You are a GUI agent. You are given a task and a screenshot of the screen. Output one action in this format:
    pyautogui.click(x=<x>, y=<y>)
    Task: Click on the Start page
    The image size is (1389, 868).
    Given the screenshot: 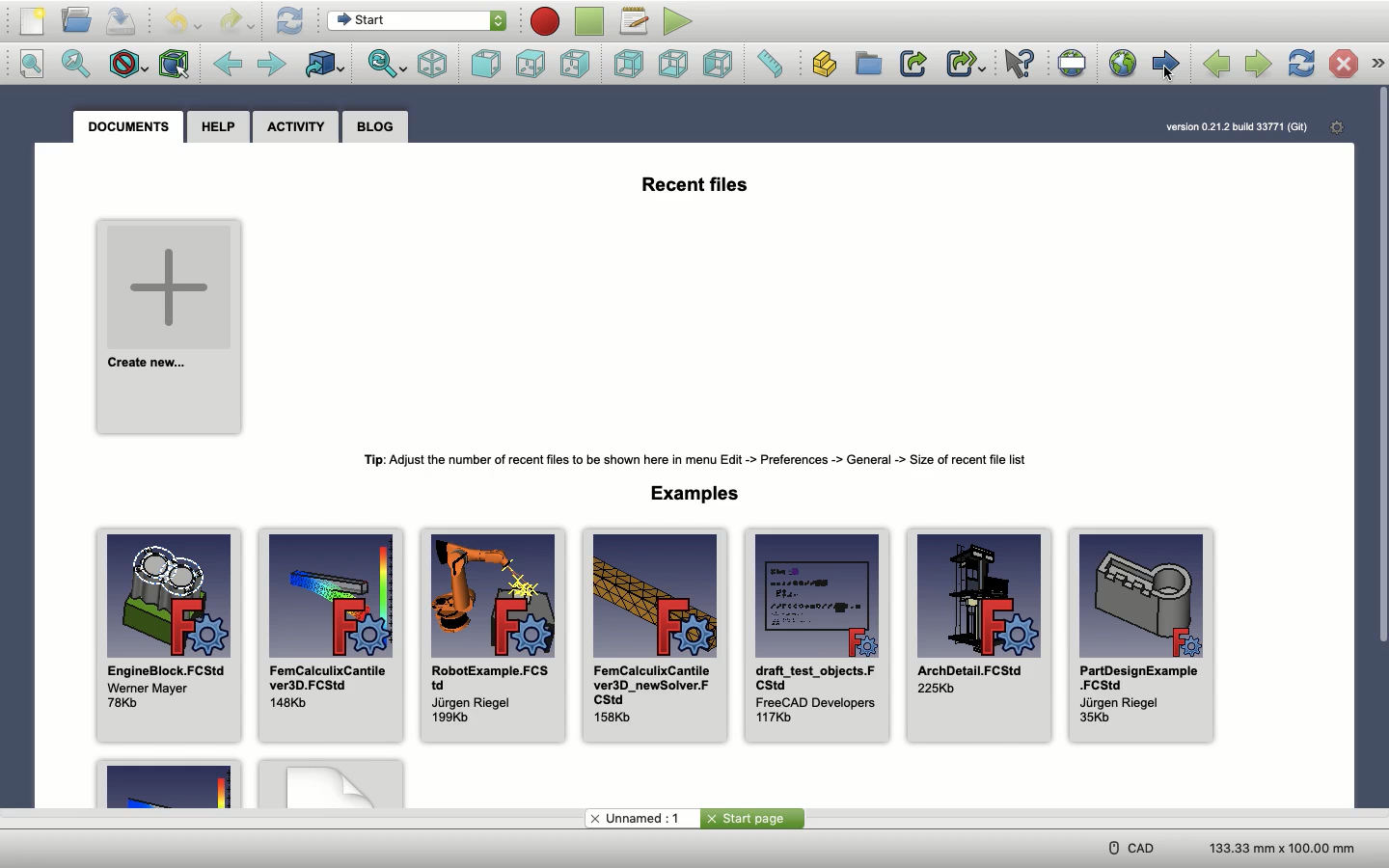 What is the action you would take?
    pyautogui.click(x=1165, y=64)
    